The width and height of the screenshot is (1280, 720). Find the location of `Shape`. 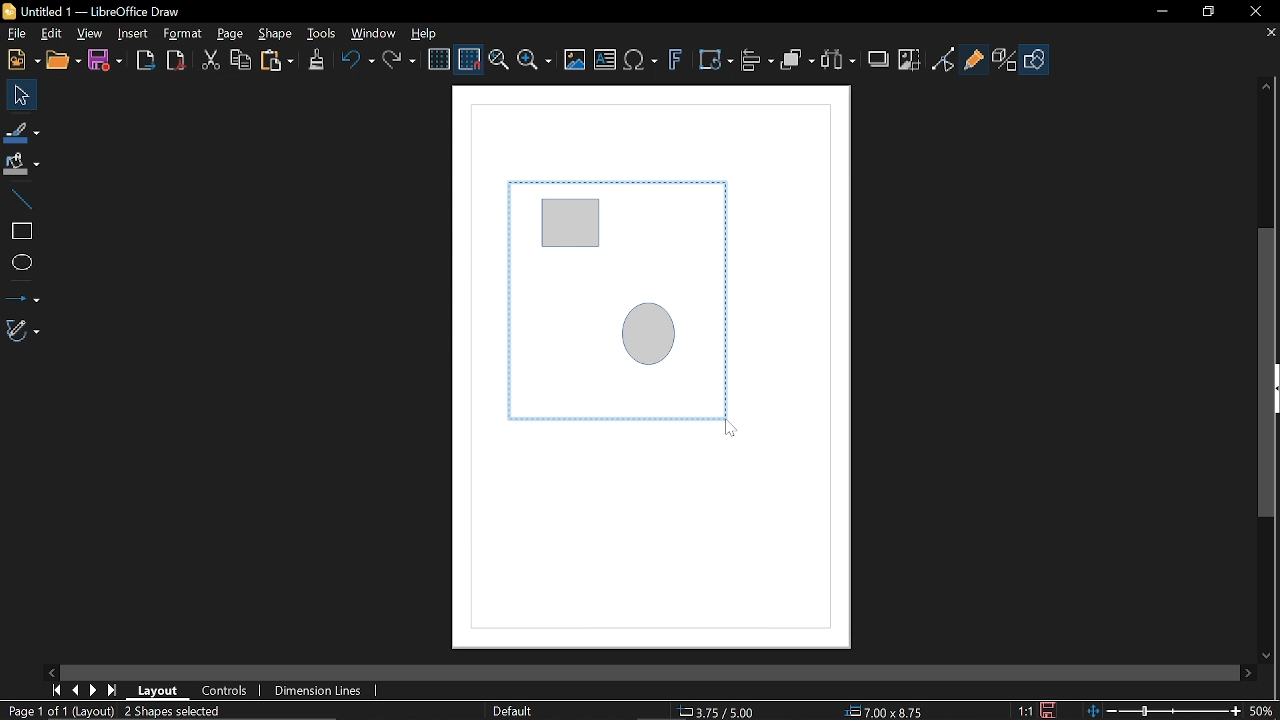

Shape is located at coordinates (275, 36).